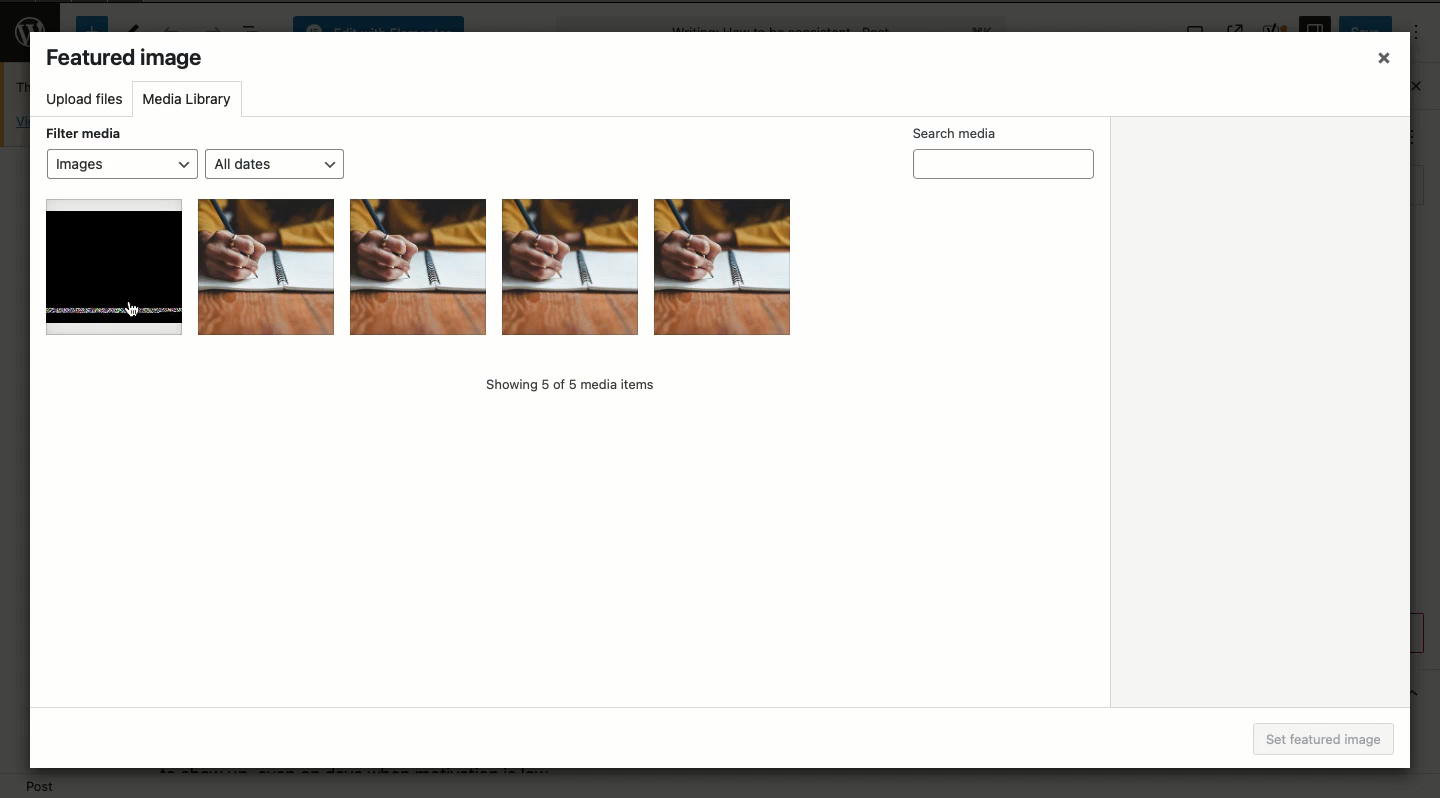 The height and width of the screenshot is (798, 1440). What do you see at coordinates (416, 270) in the screenshot?
I see `Images` at bounding box center [416, 270].